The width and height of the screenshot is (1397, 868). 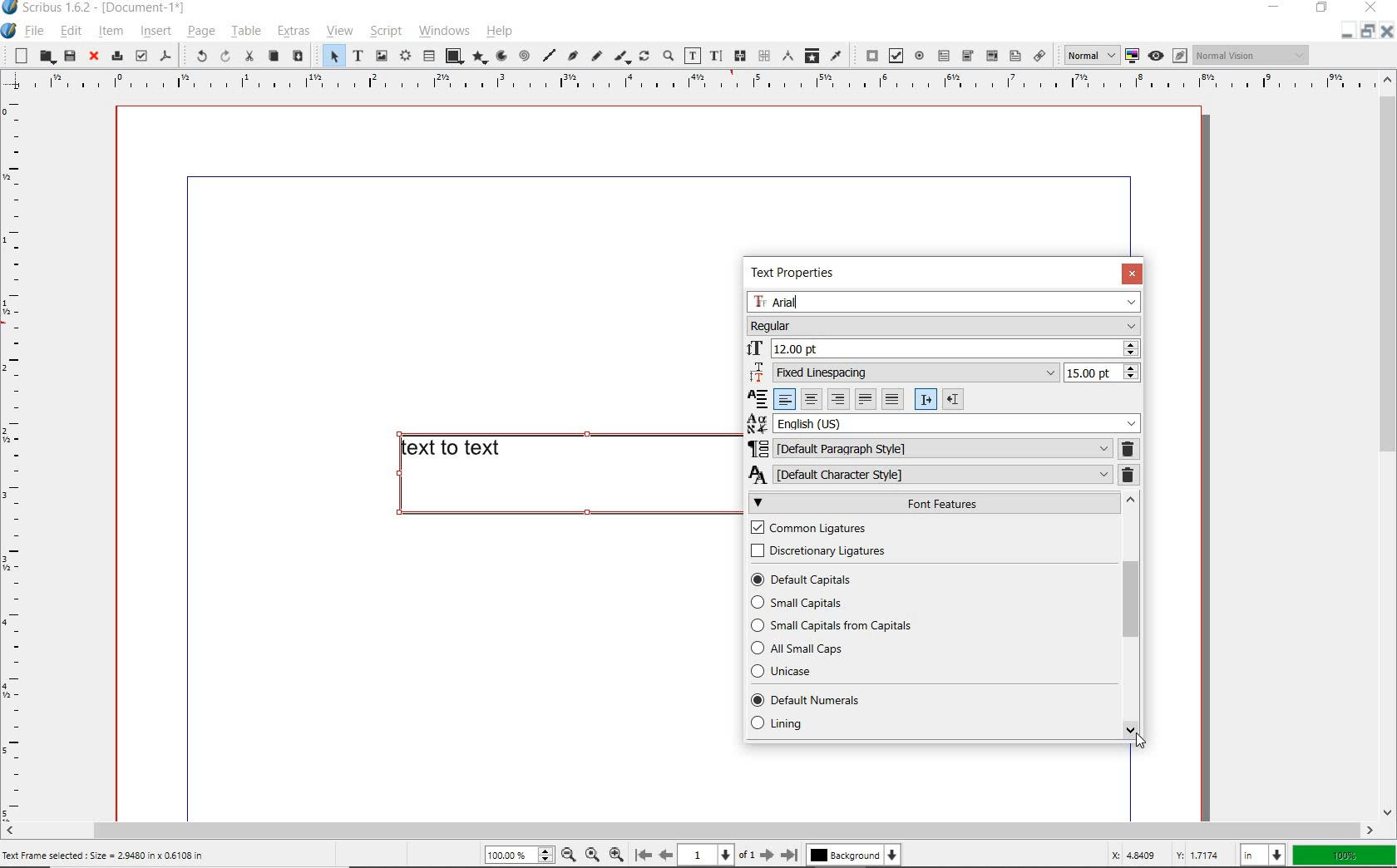 I want to click on Minimize, so click(x=1366, y=32).